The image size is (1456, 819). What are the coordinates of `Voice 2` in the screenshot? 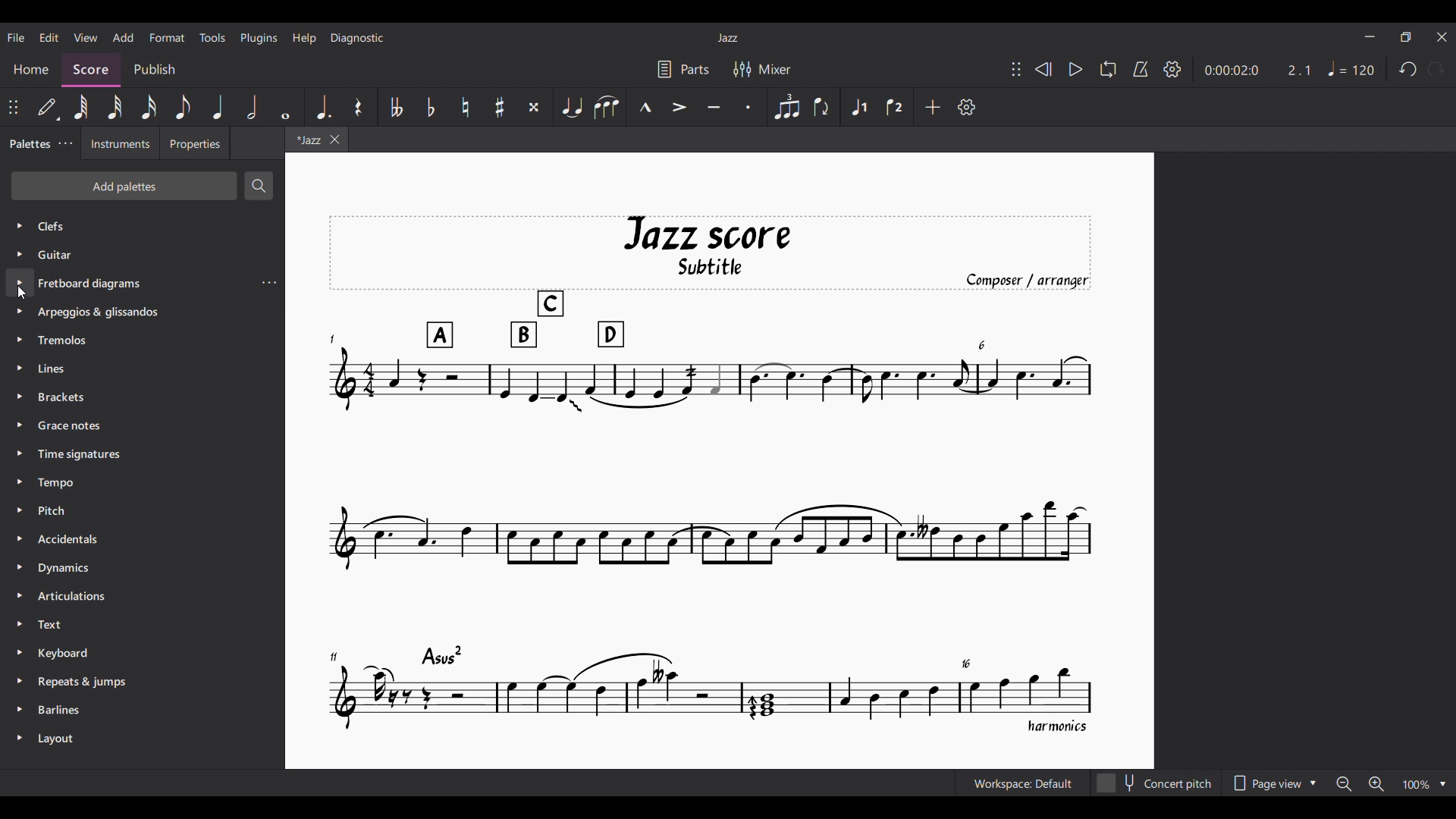 It's located at (896, 107).